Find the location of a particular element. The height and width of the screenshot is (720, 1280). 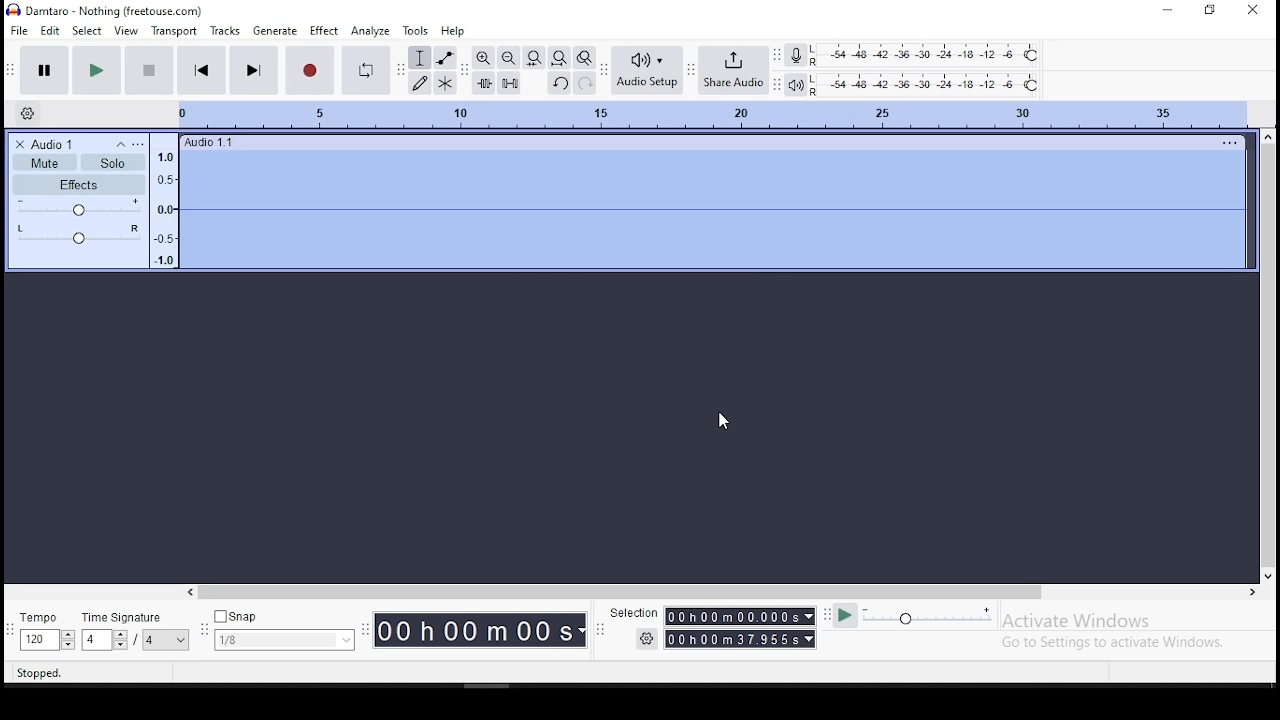

generate is located at coordinates (273, 31).